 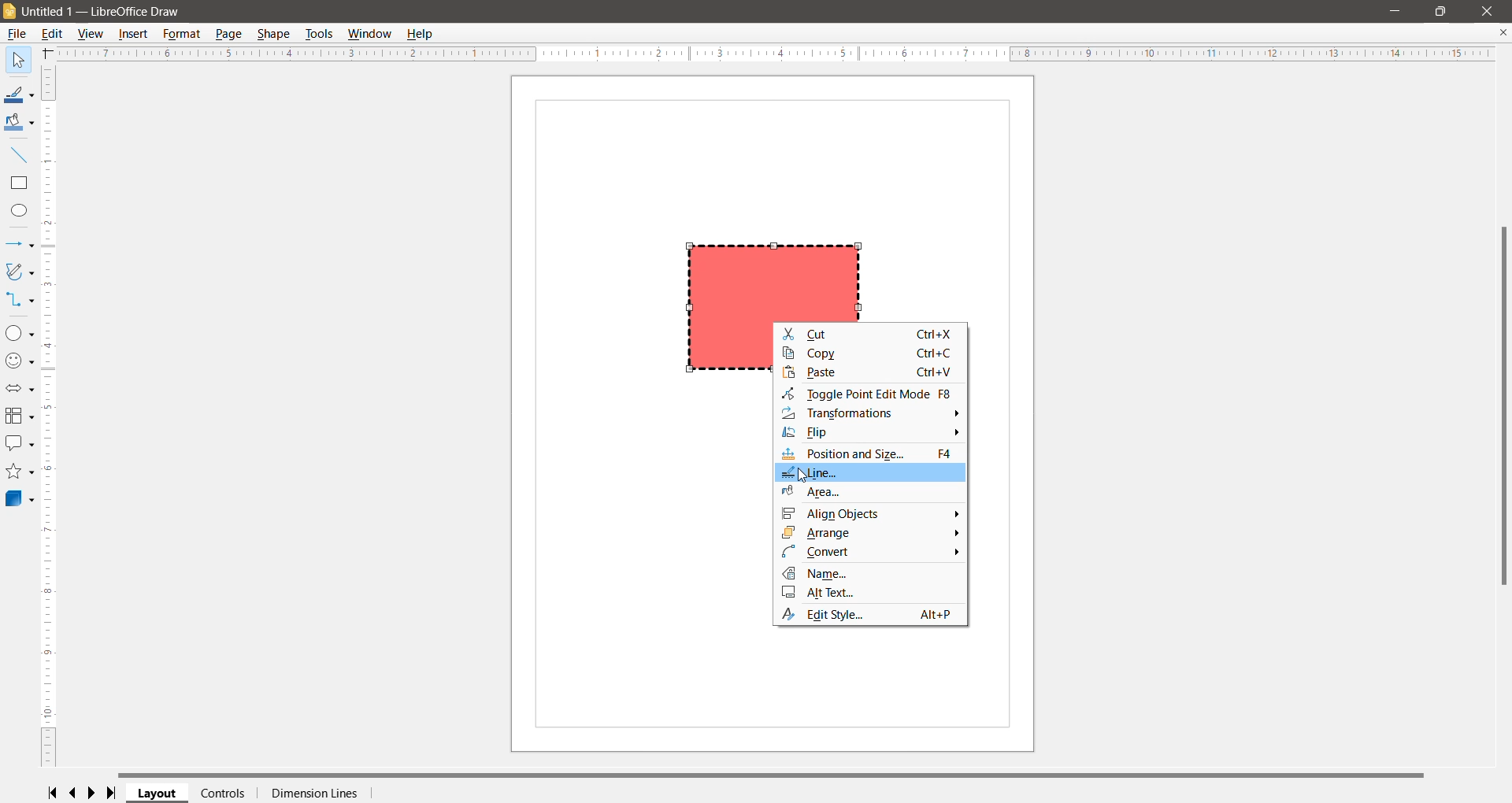 What do you see at coordinates (368, 34) in the screenshot?
I see `Window` at bounding box center [368, 34].